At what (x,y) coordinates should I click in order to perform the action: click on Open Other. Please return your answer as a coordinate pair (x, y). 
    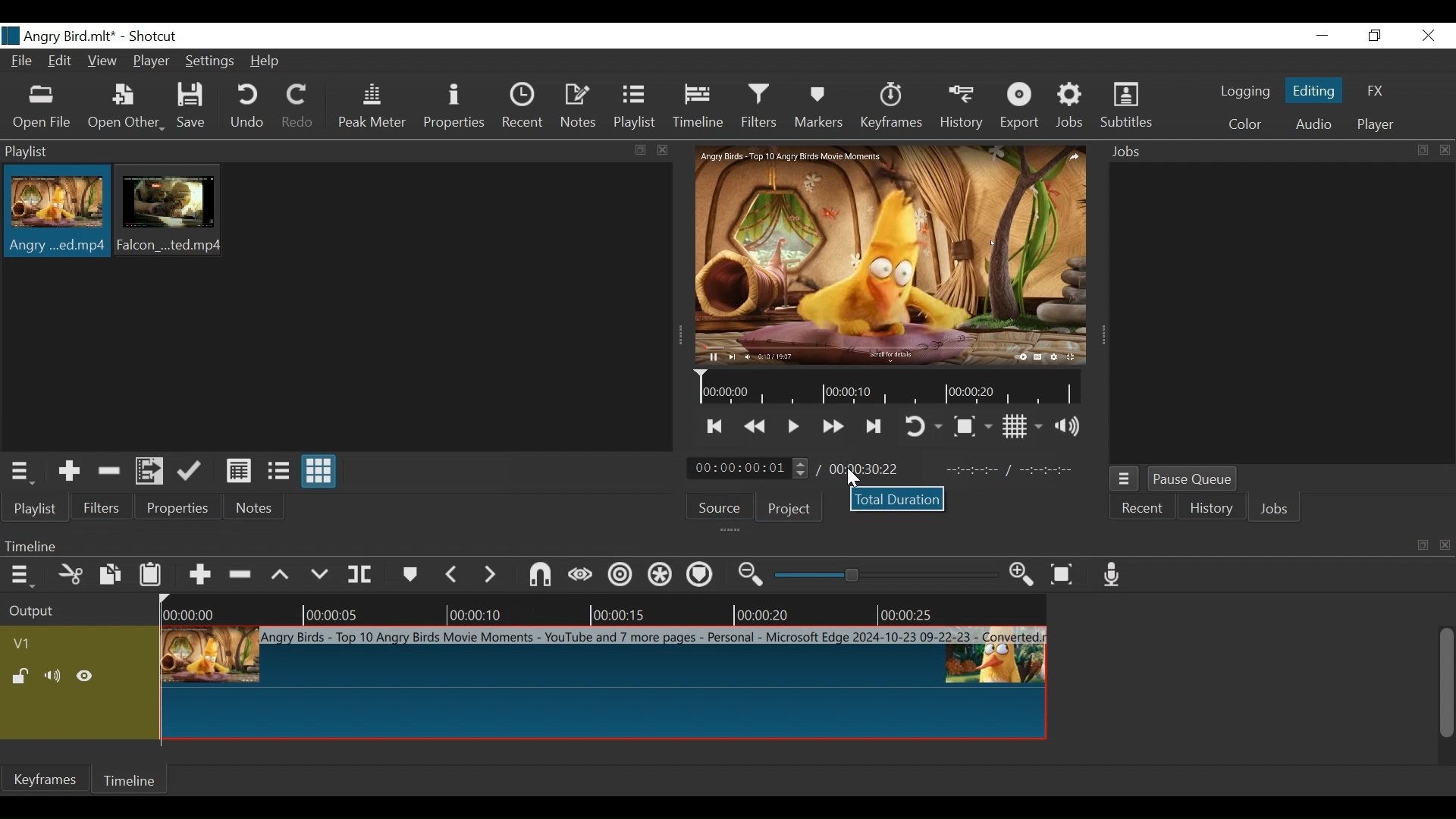
    Looking at the image, I should click on (125, 107).